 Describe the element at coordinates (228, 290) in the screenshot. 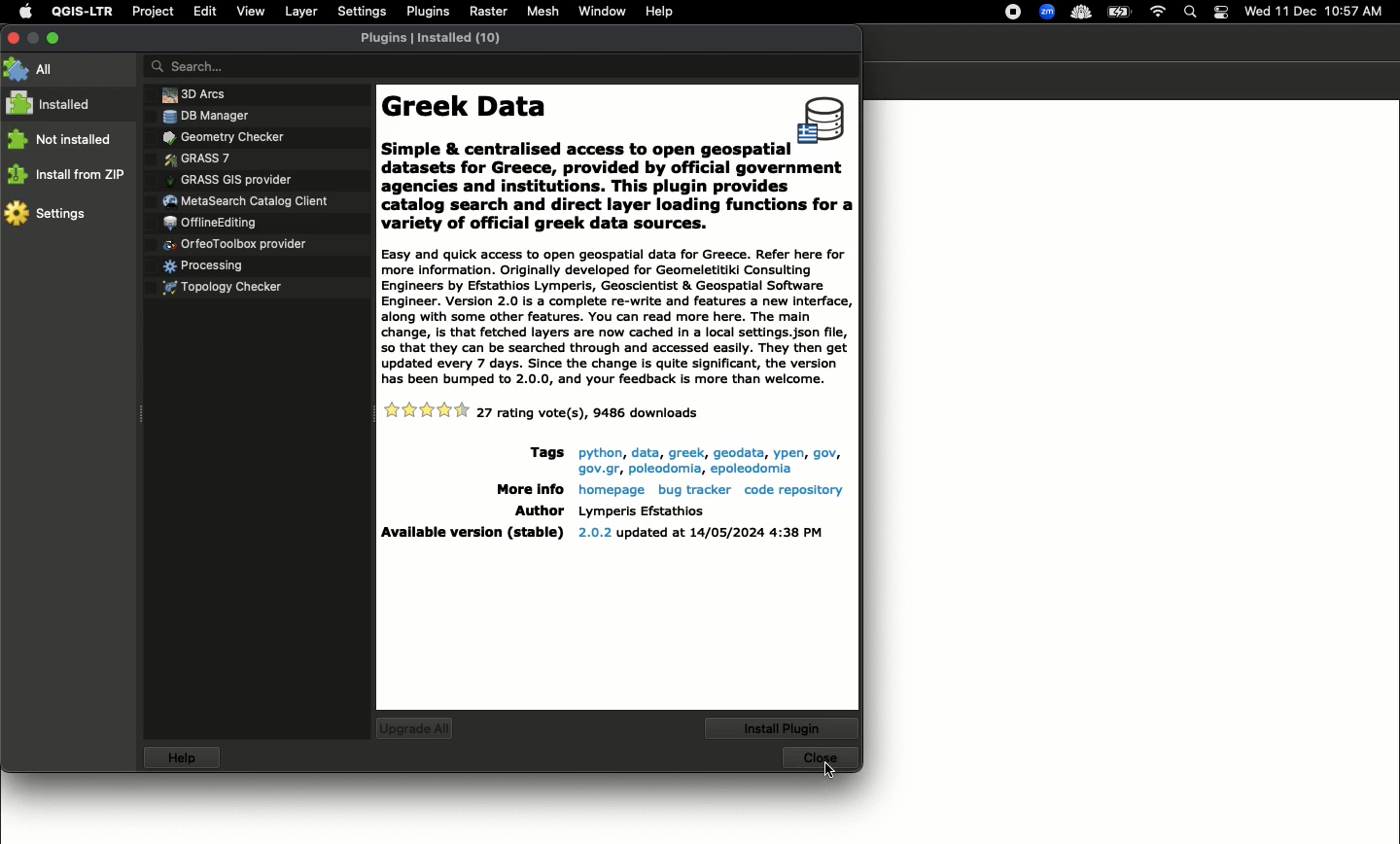

I see `Topology checker` at that location.